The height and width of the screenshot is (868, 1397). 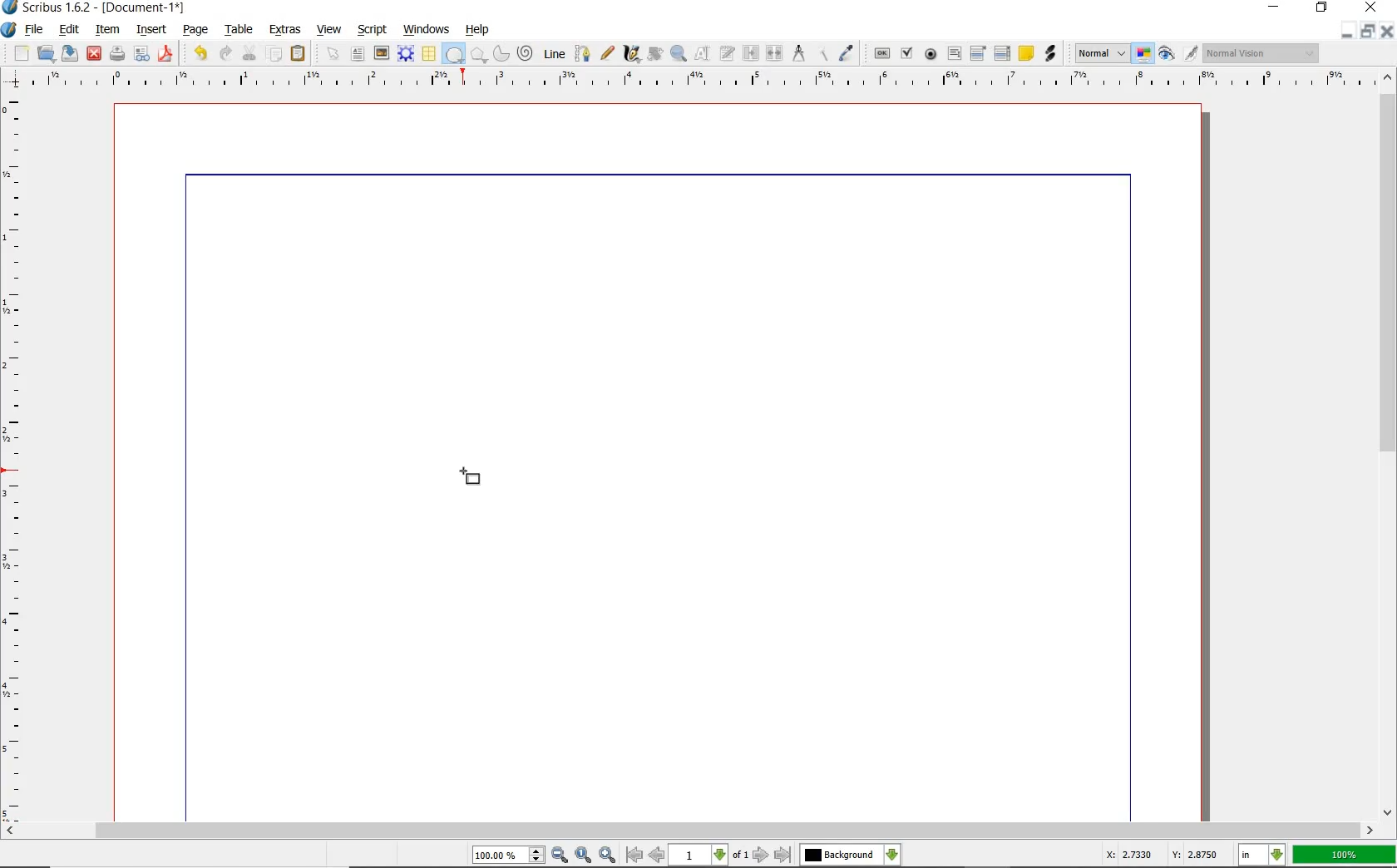 I want to click on PDF COMBO BOX, so click(x=977, y=52).